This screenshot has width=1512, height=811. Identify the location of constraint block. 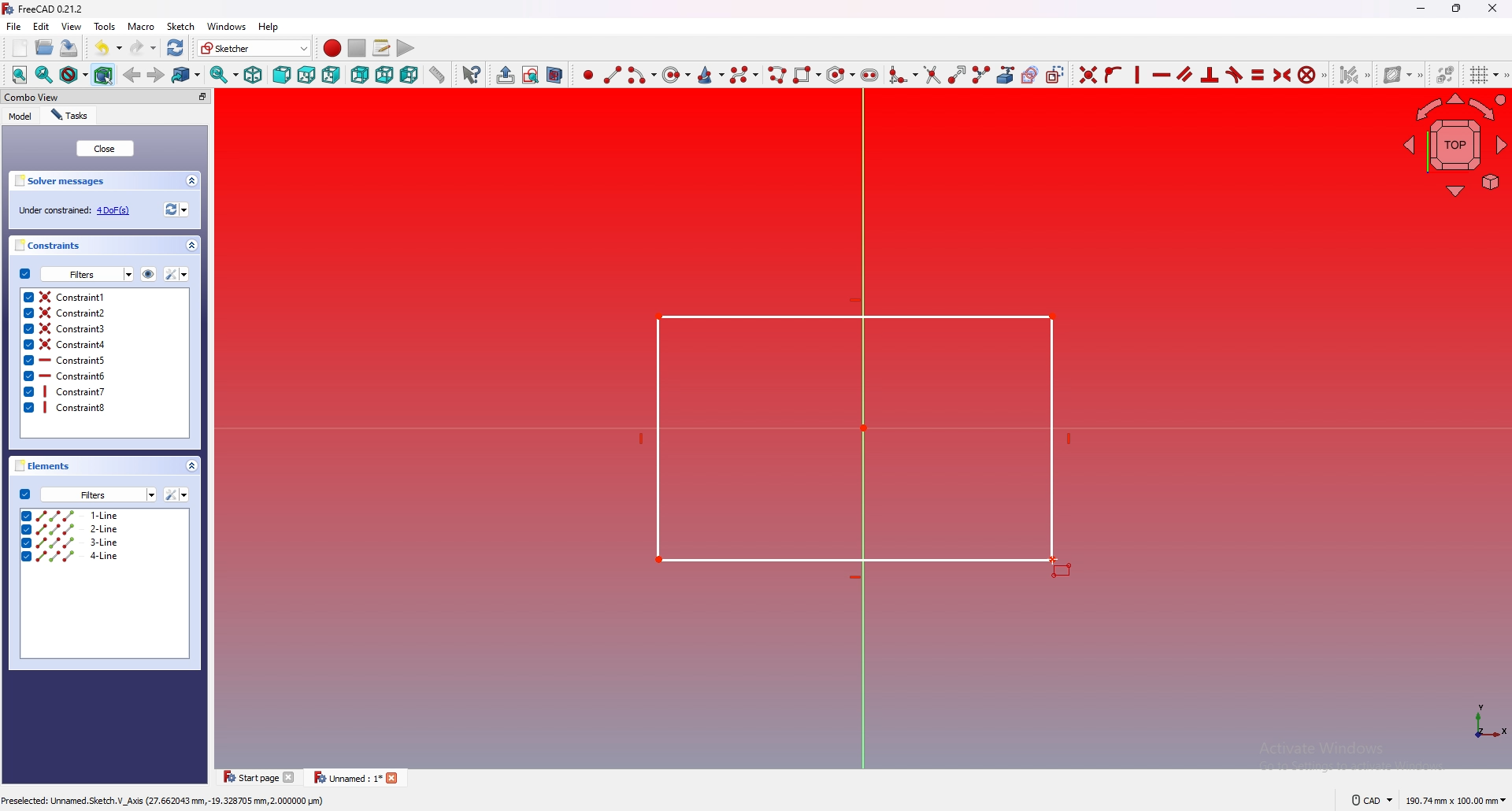
(1307, 74).